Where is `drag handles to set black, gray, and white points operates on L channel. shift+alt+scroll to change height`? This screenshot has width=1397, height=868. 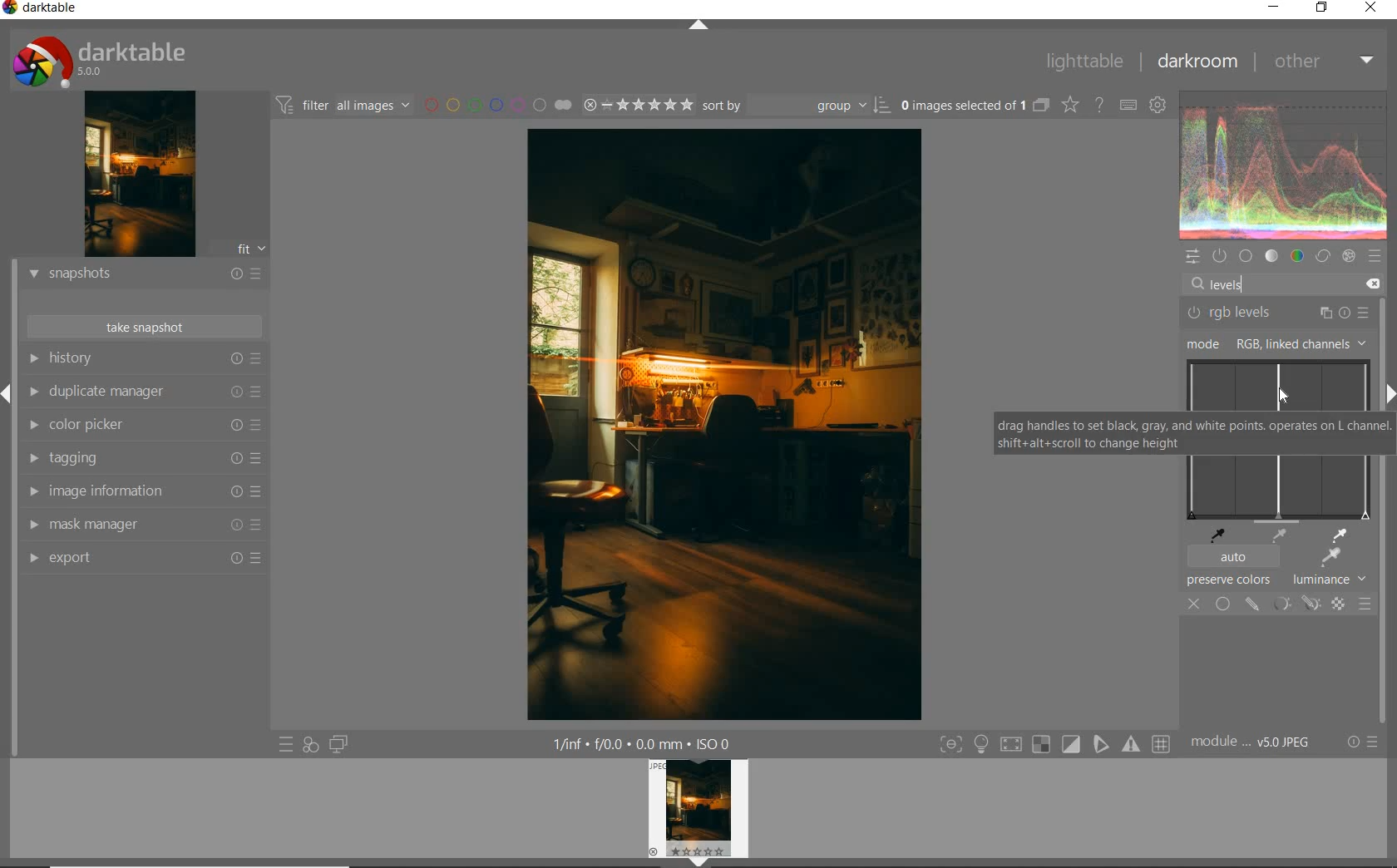
drag handles to set black, gray, and white points operates on L channel. shift+alt+scroll to change height is located at coordinates (1193, 433).